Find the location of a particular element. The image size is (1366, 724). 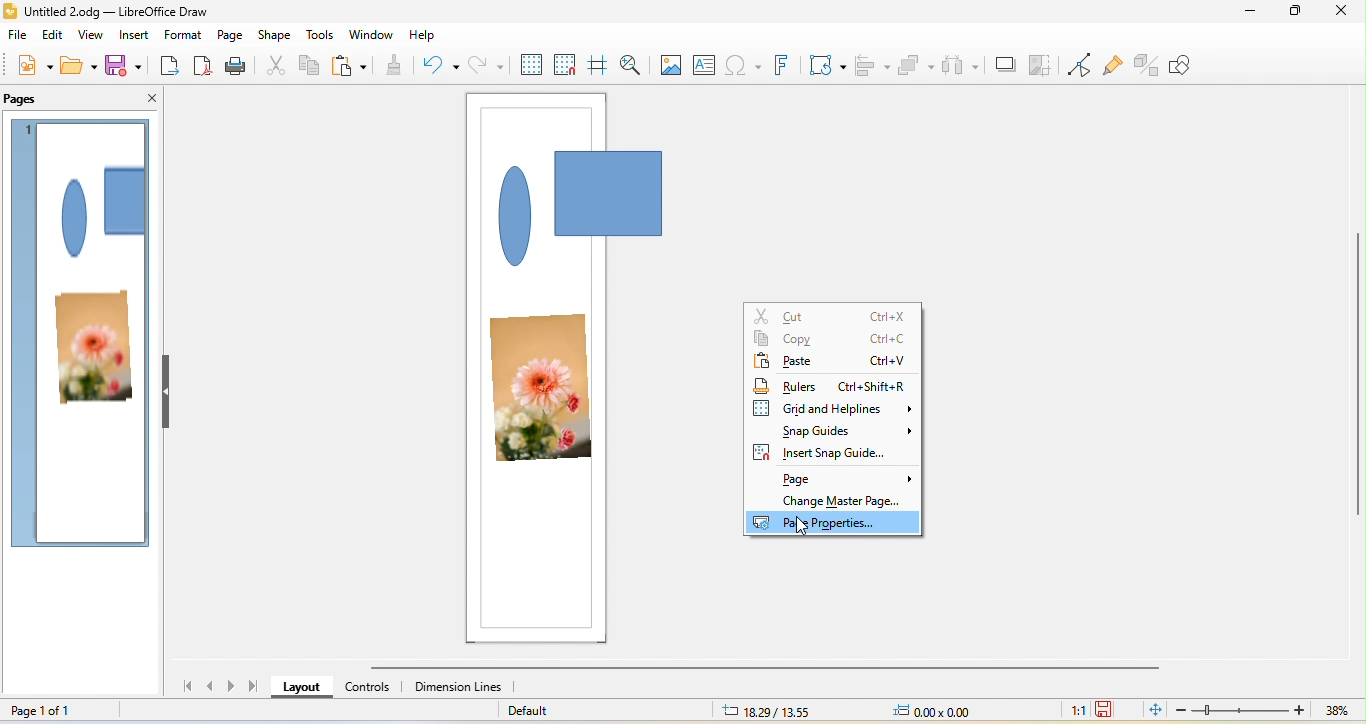

insert snap guide is located at coordinates (823, 452).